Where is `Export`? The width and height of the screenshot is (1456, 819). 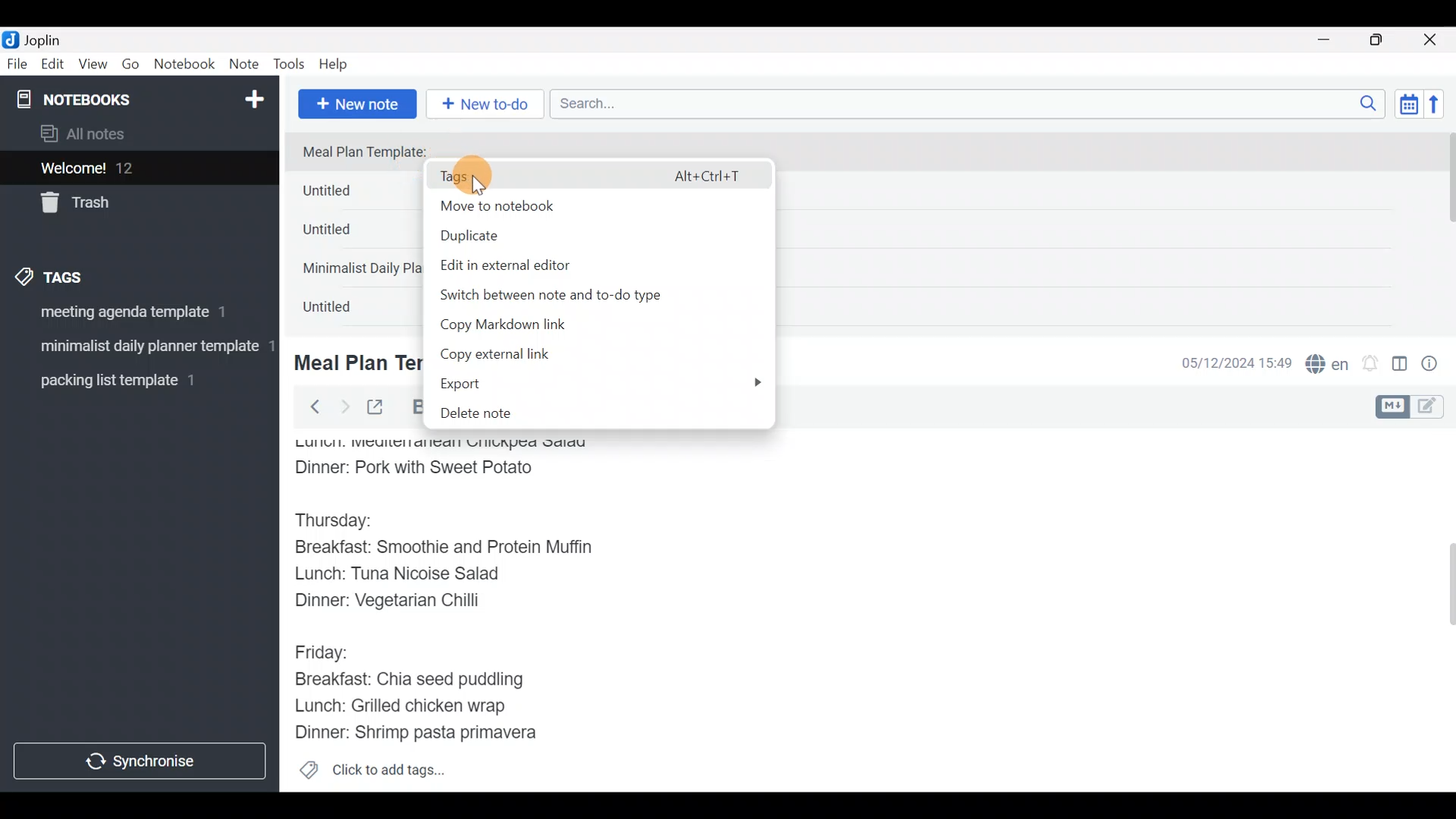 Export is located at coordinates (595, 384).